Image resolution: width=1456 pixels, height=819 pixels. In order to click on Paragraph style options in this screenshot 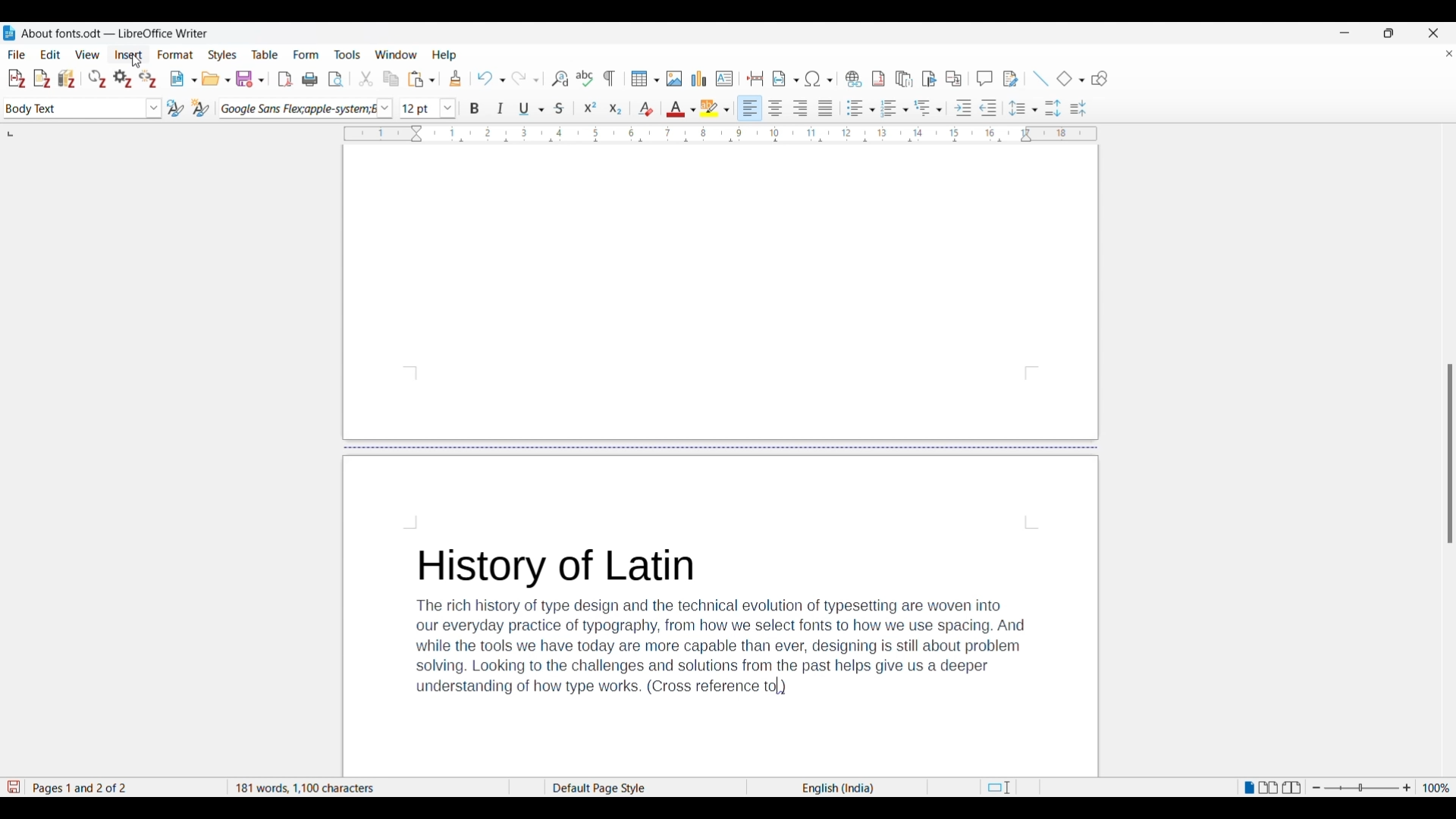, I will do `click(154, 108)`.